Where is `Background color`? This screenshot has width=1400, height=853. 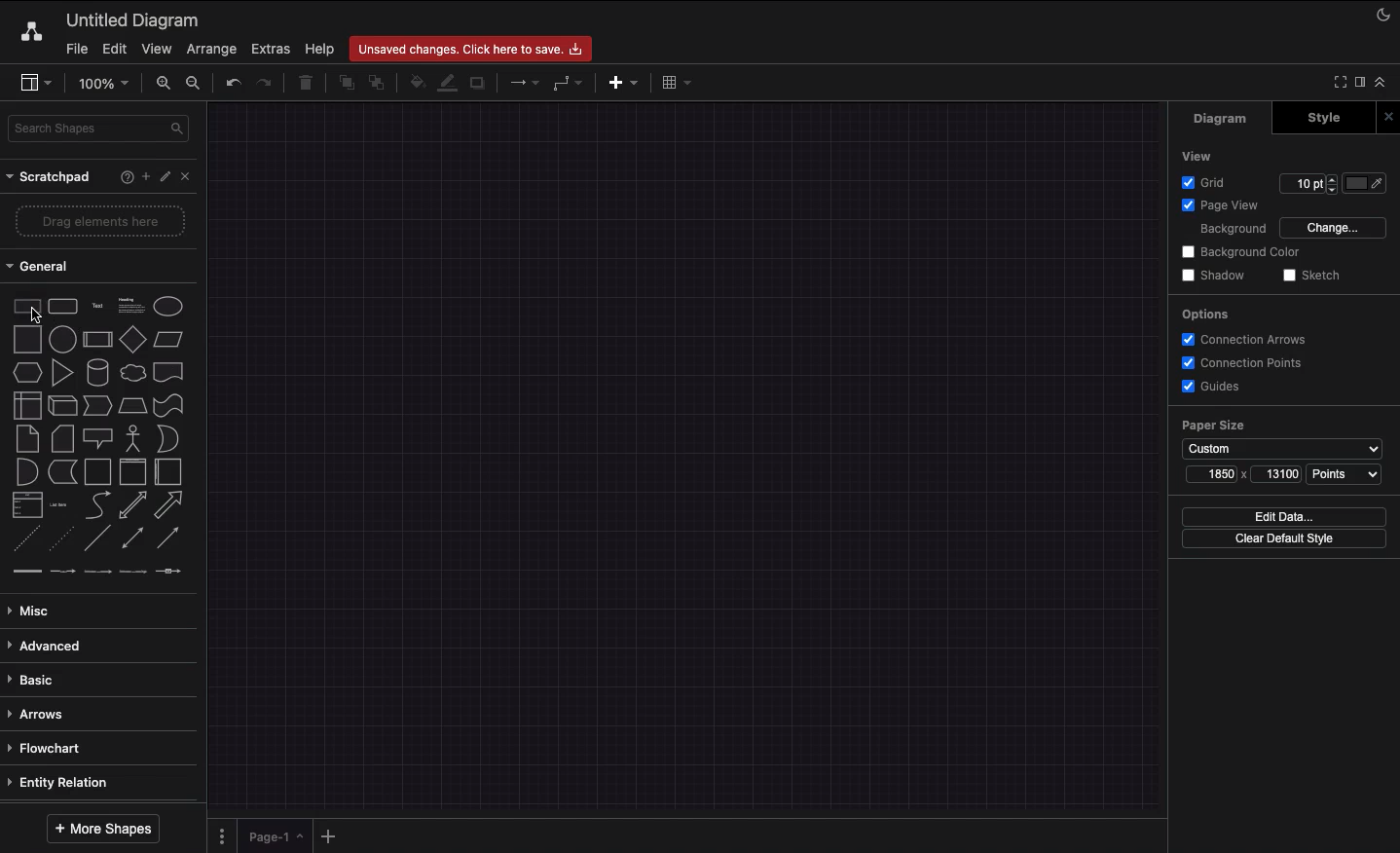 Background color is located at coordinates (1243, 252).